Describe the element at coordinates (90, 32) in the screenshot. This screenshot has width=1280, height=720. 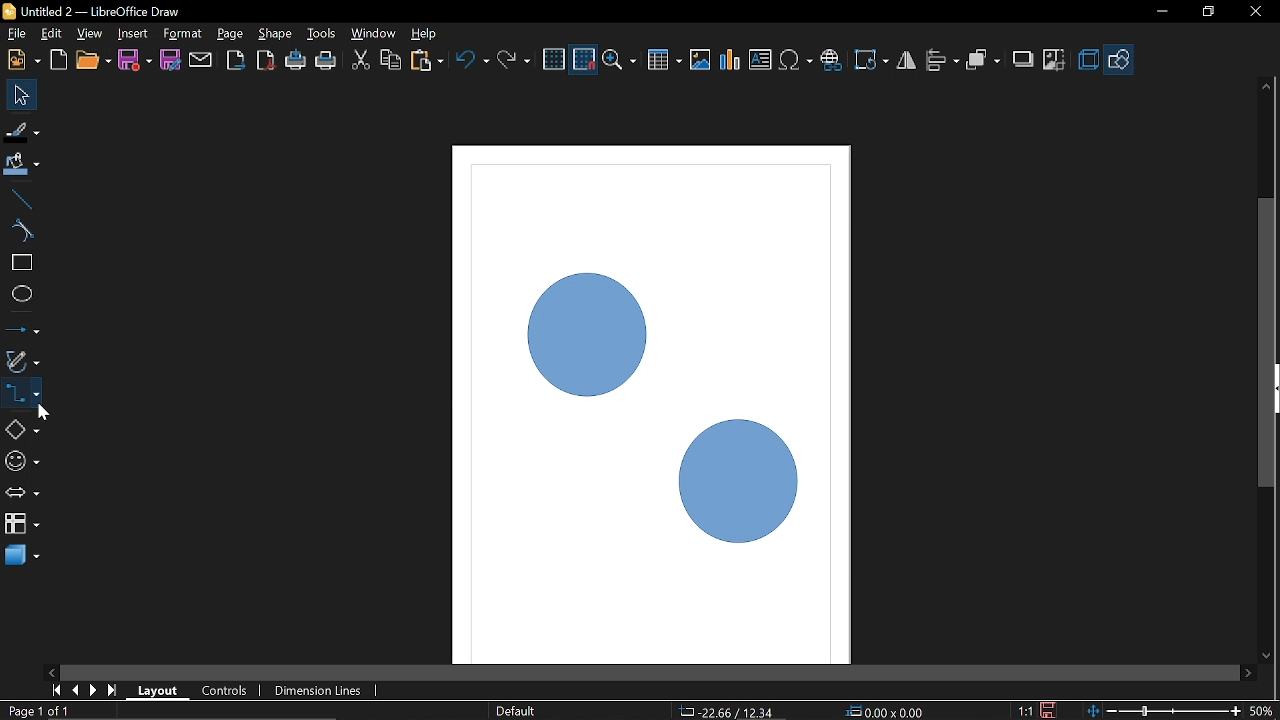
I see `View` at that location.